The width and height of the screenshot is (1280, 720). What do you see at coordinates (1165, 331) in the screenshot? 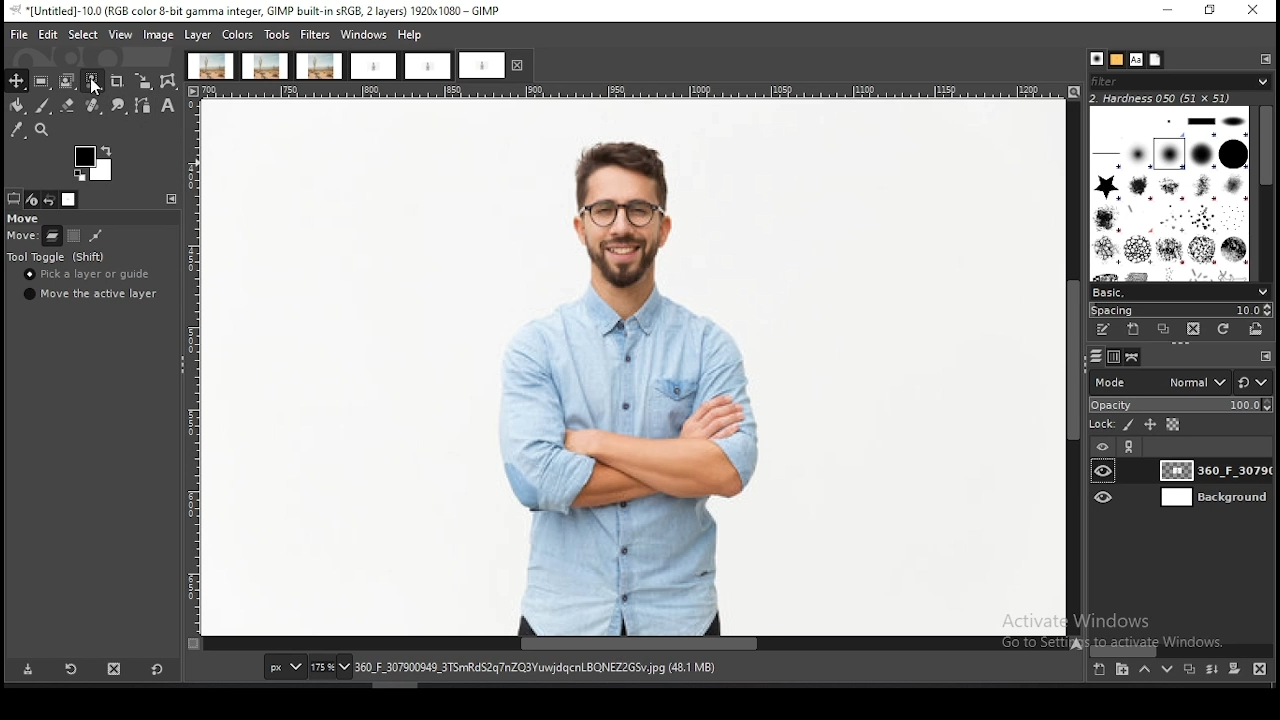
I see `duplicate brush` at bounding box center [1165, 331].